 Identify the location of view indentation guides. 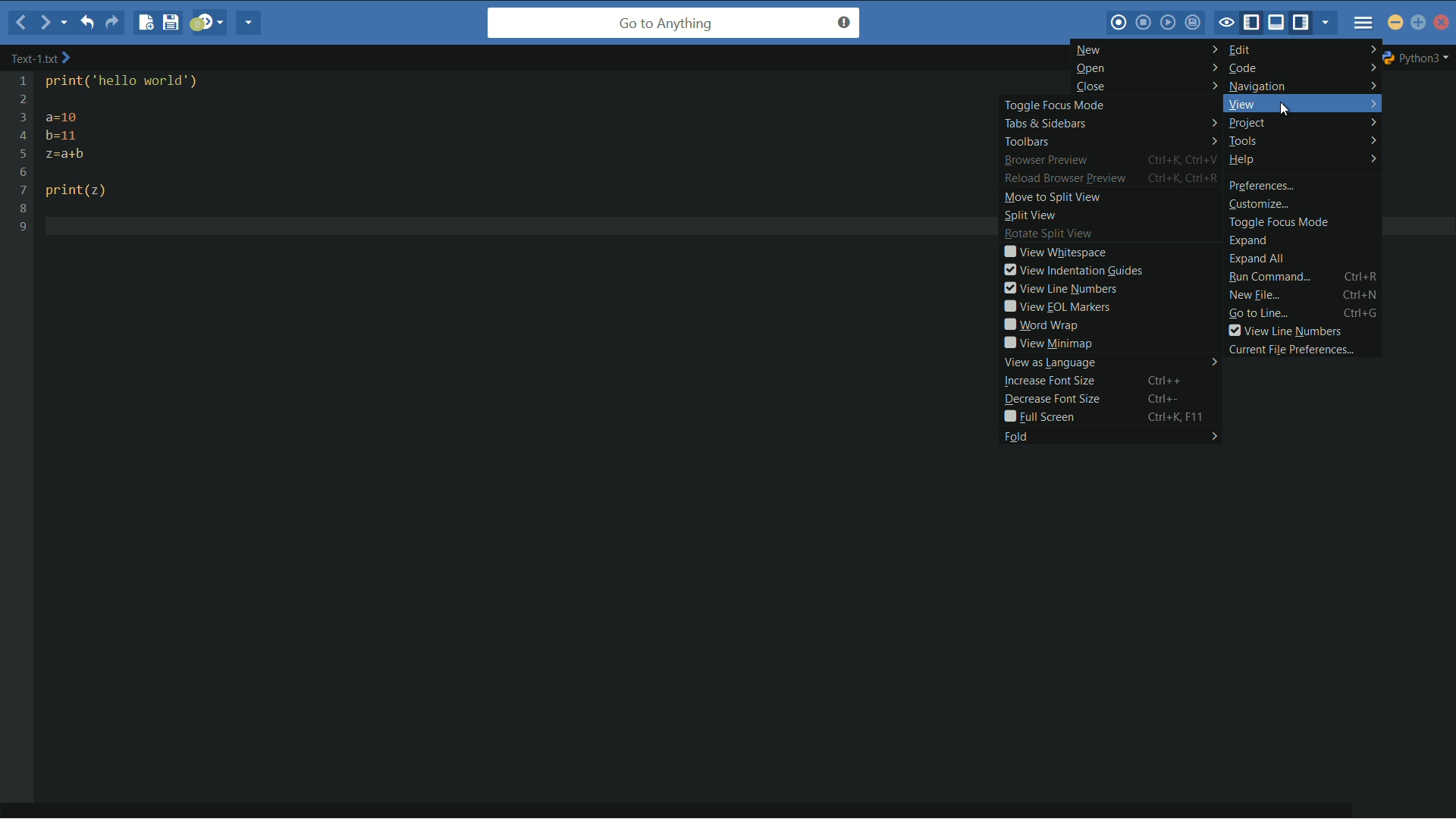
(1072, 270).